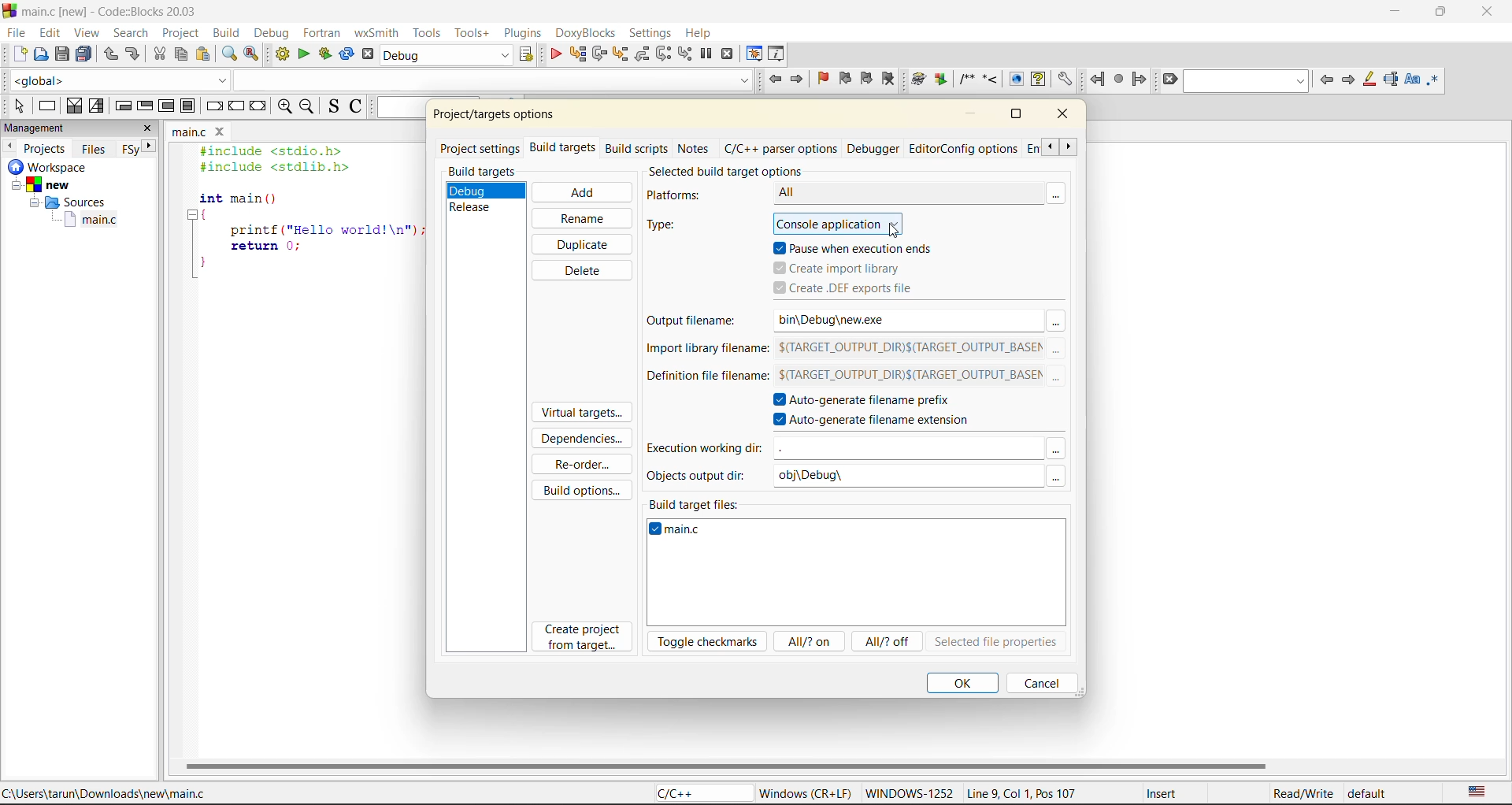 The image size is (1512, 805). What do you see at coordinates (72, 220) in the screenshot?
I see `main.c` at bounding box center [72, 220].